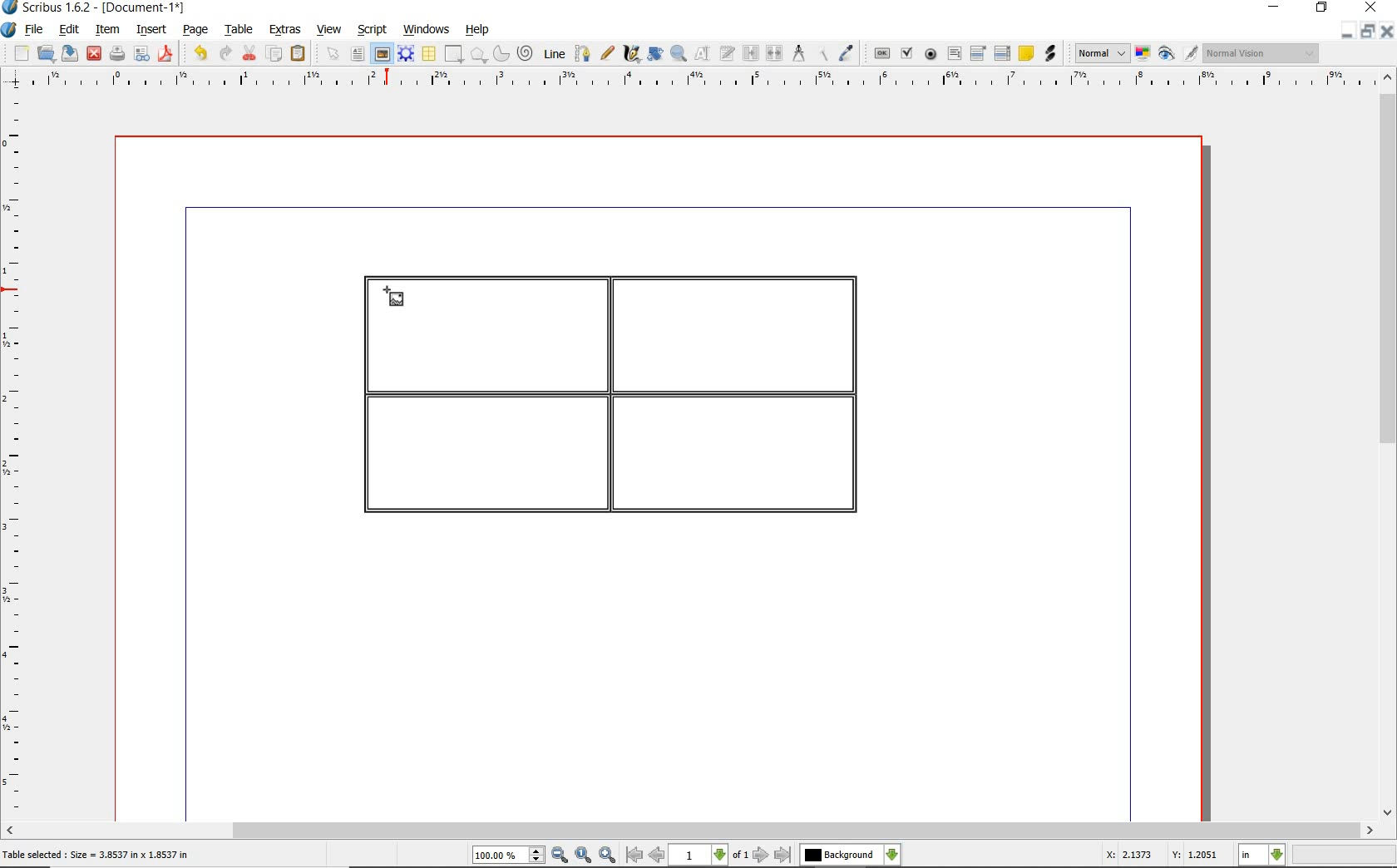 This screenshot has width=1397, height=868. I want to click on zoom in, so click(608, 856).